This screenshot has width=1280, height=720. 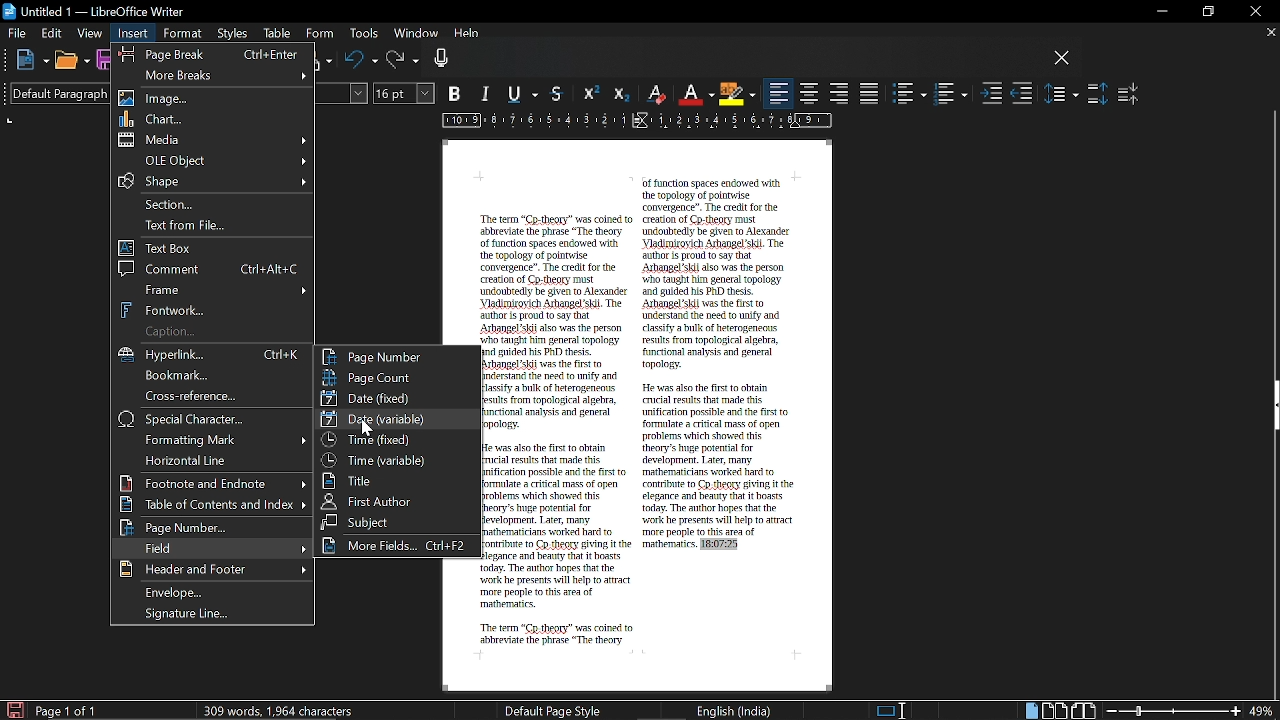 What do you see at coordinates (992, 95) in the screenshot?
I see `Increase indent` at bounding box center [992, 95].